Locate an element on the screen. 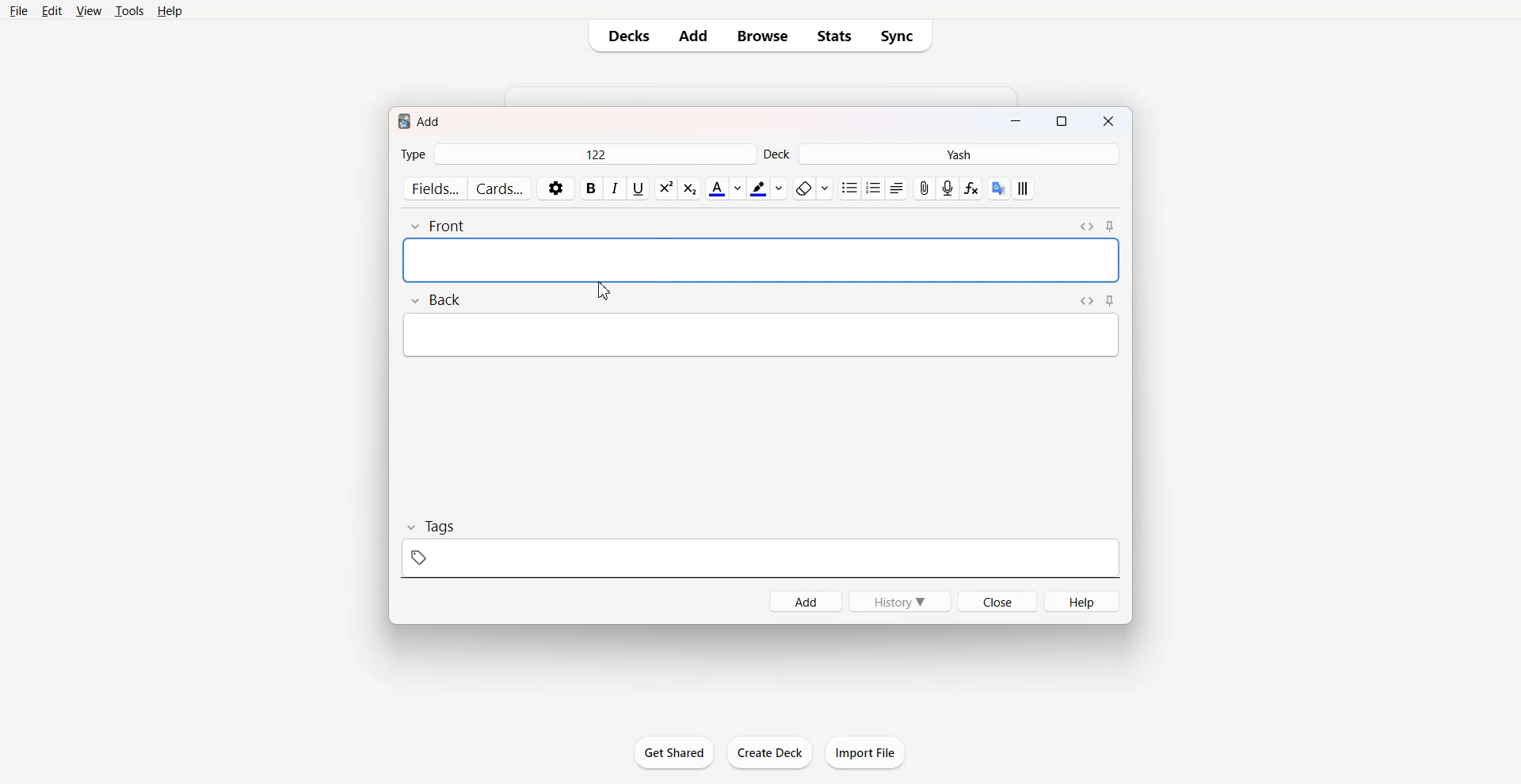 The image size is (1521, 784). Underline is located at coordinates (638, 188).